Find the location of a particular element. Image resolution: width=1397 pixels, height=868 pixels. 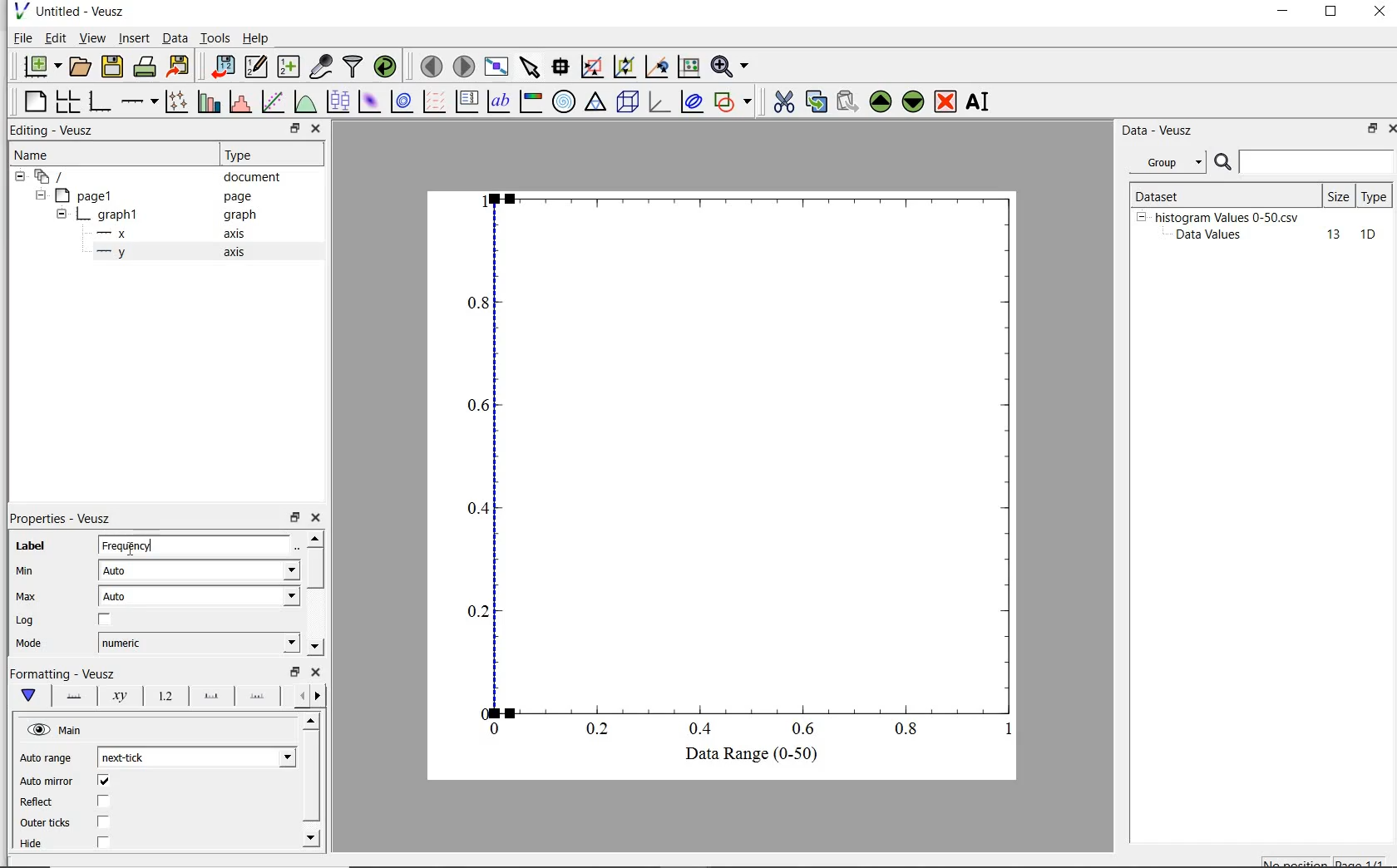

plot a function is located at coordinates (304, 101).